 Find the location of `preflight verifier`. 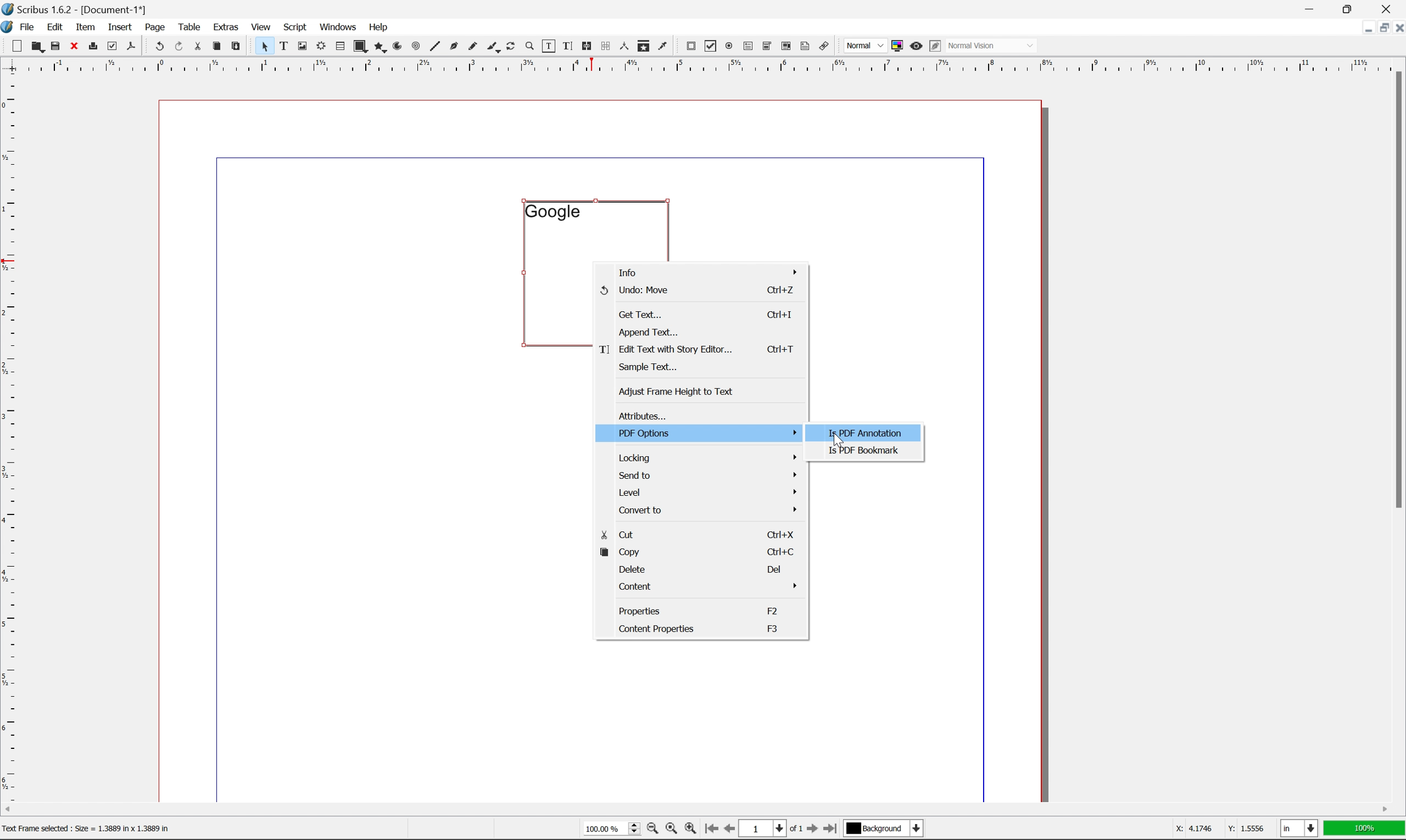

preflight verifier is located at coordinates (113, 45).